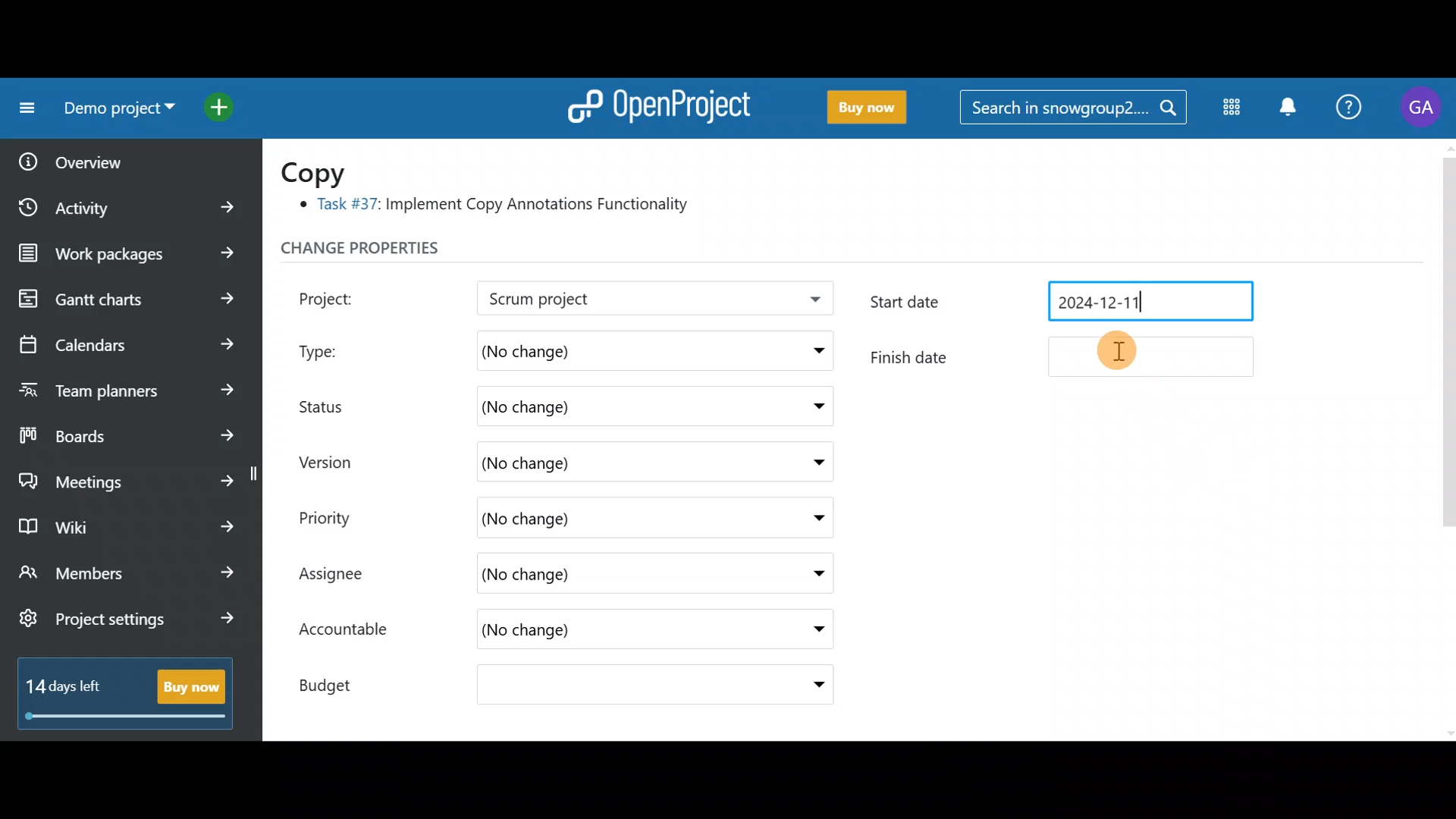 This screenshot has height=819, width=1456. What do you see at coordinates (1077, 108) in the screenshot?
I see `Search in snowgroup?.... ` at bounding box center [1077, 108].